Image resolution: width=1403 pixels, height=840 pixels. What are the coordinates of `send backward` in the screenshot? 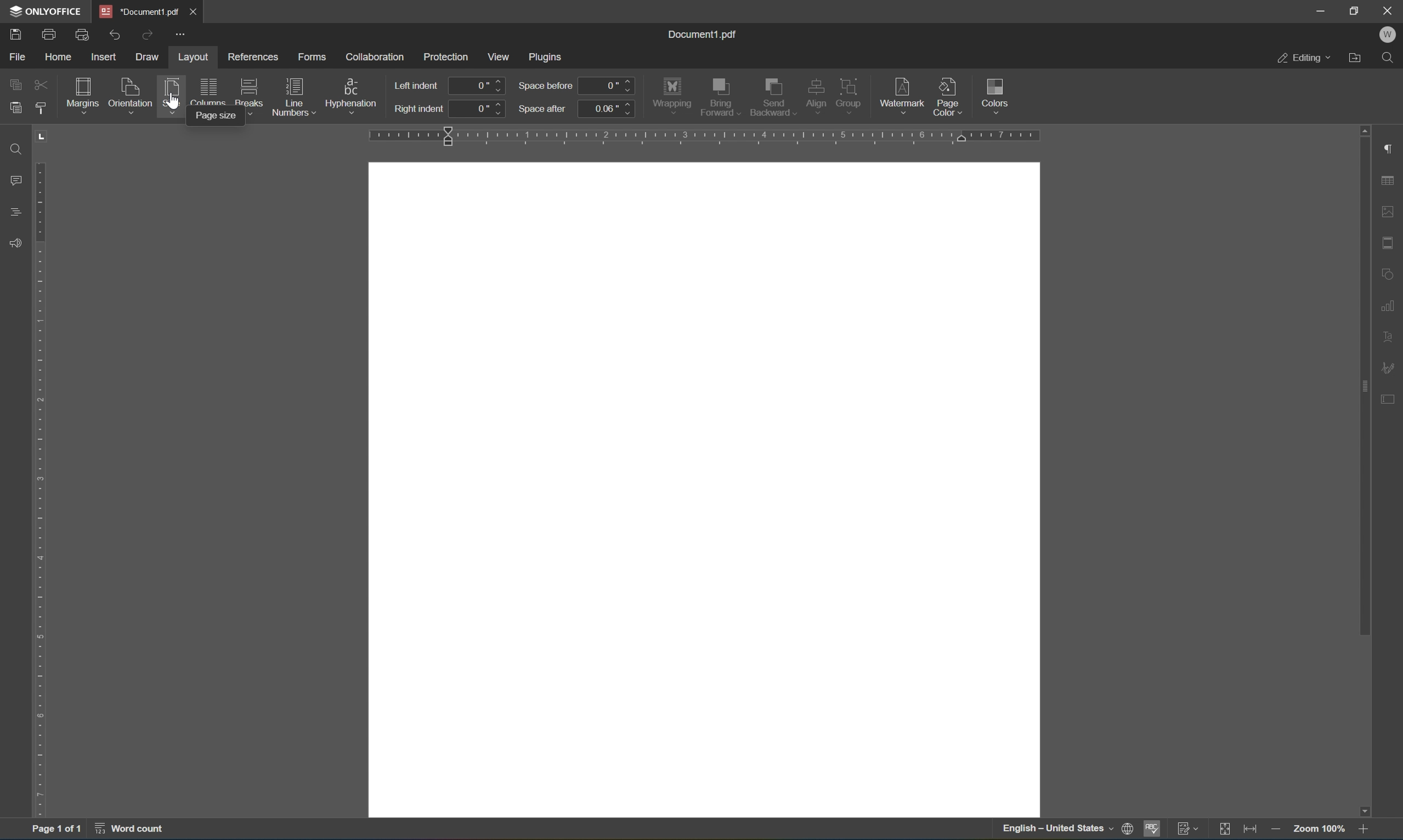 It's located at (771, 97).